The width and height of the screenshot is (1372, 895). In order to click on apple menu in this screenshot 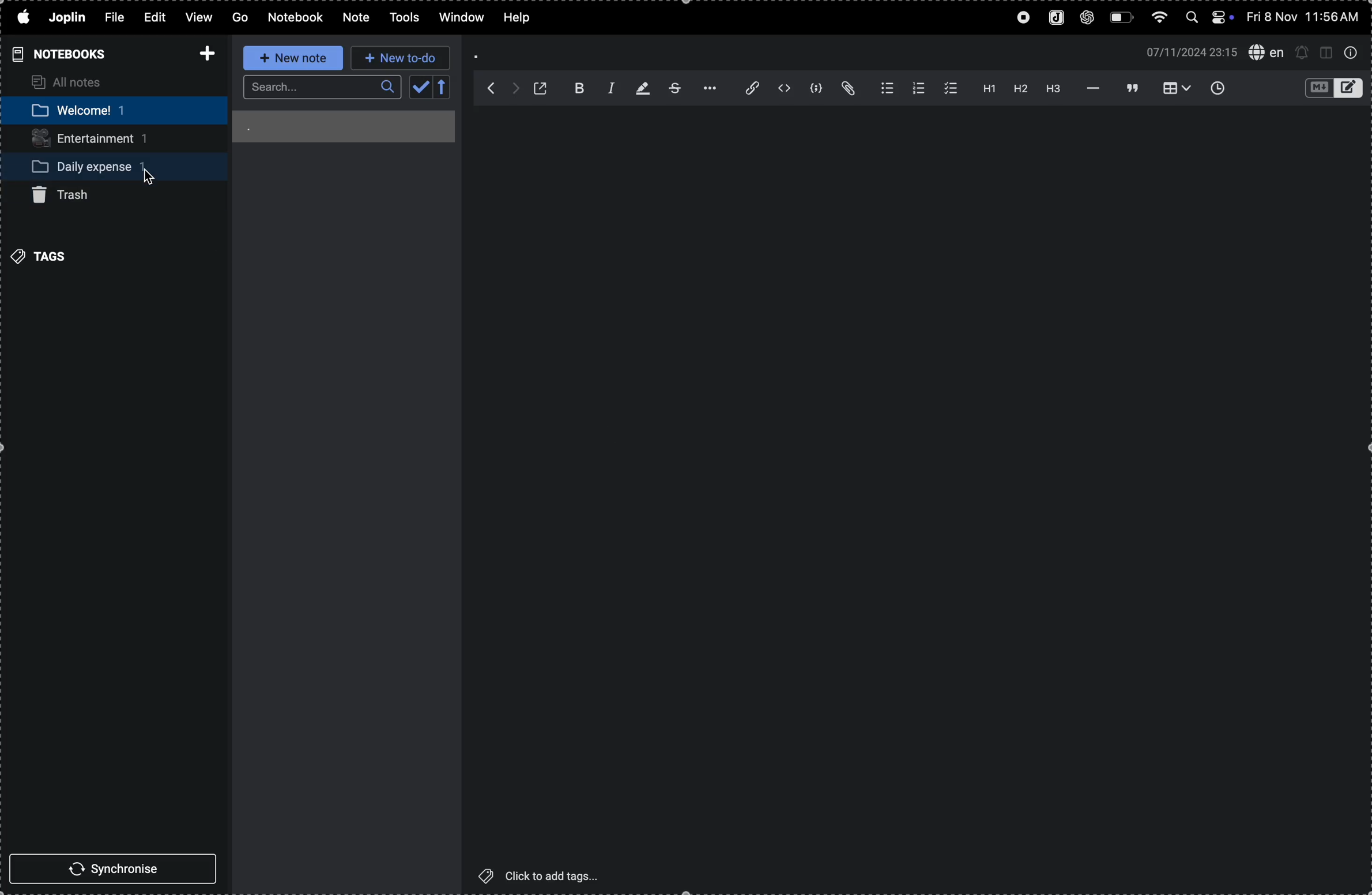, I will do `click(22, 18)`.